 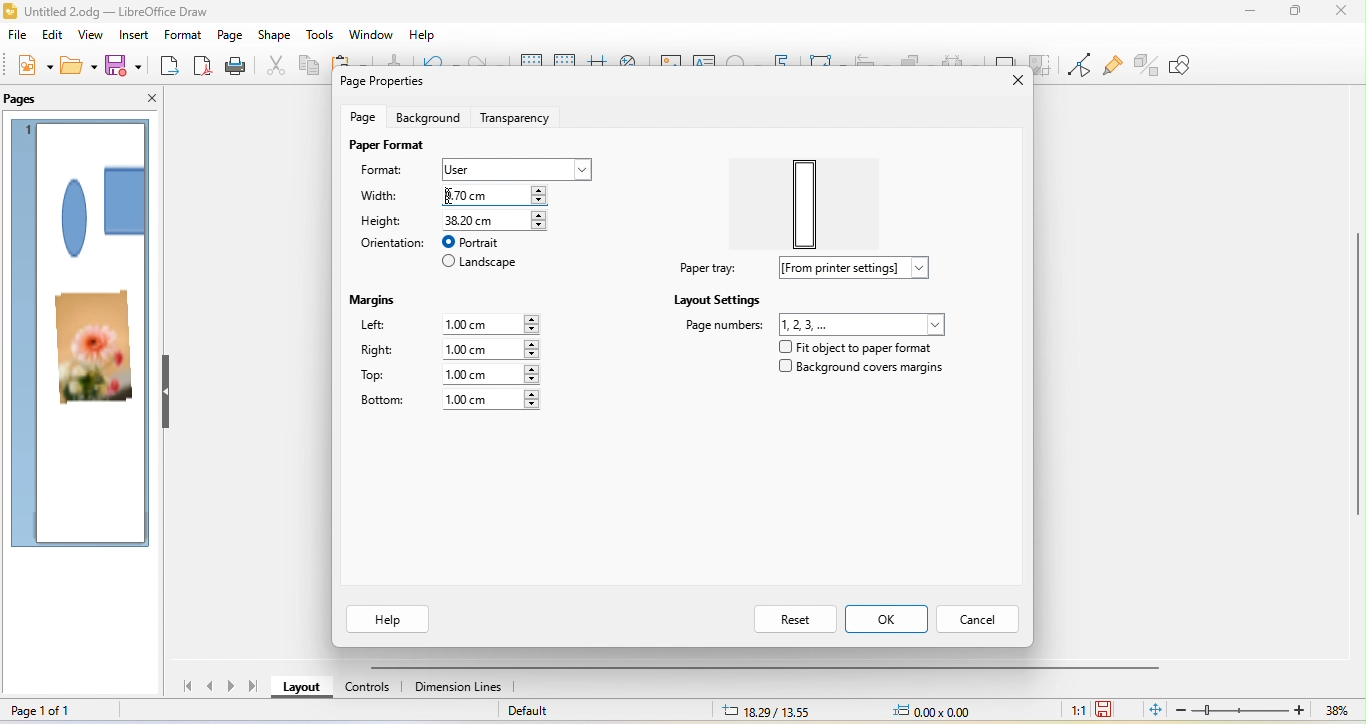 What do you see at coordinates (491, 349) in the screenshot?
I see `1.00 cm` at bounding box center [491, 349].